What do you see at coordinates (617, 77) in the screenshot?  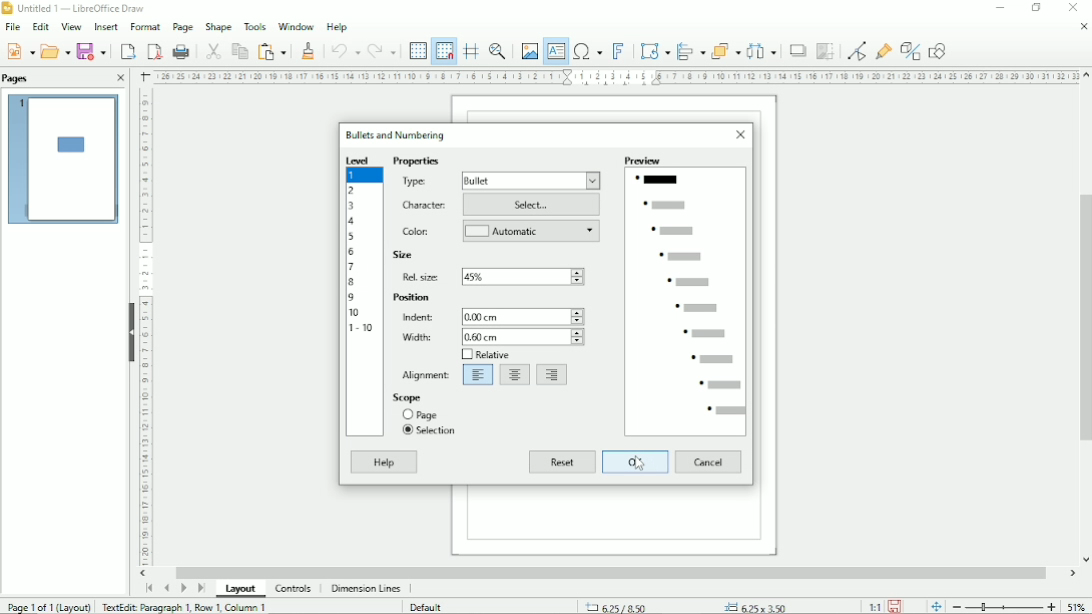 I see `Horizontal scale` at bounding box center [617, 77].